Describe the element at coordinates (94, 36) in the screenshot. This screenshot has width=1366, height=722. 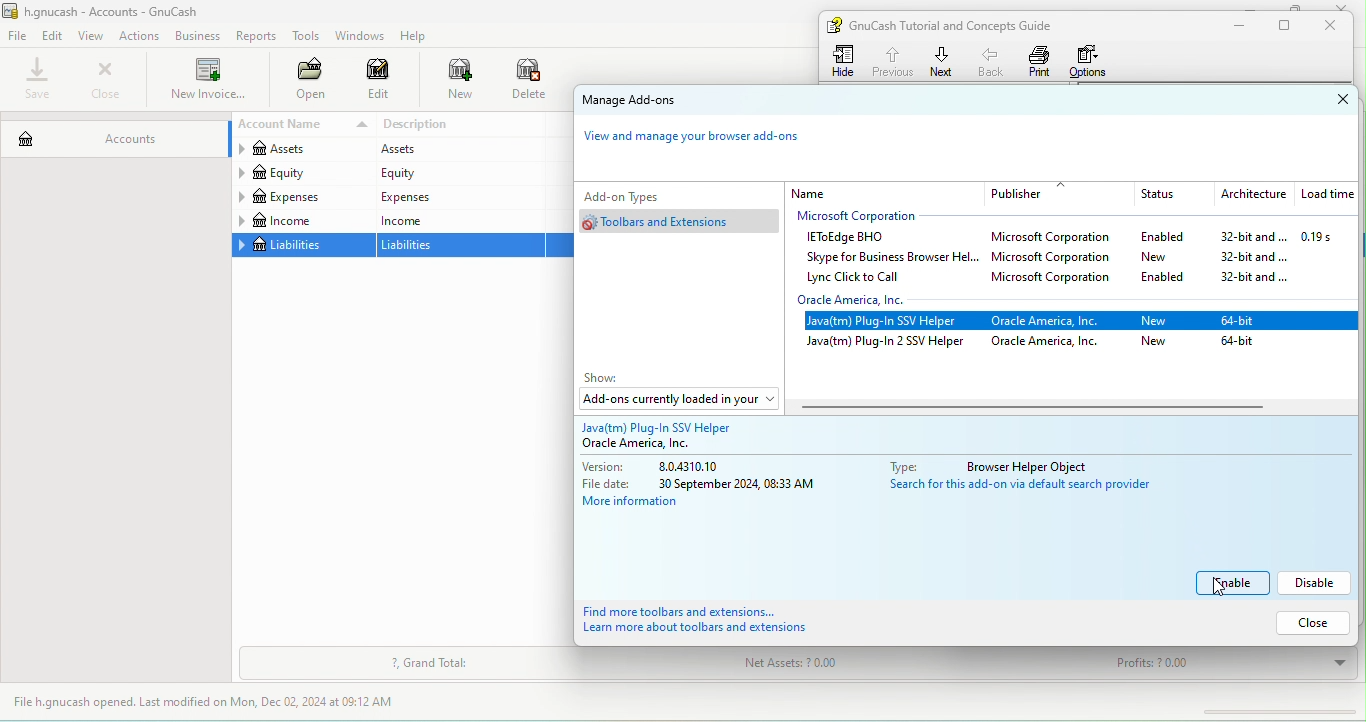
I see `view` at that location.